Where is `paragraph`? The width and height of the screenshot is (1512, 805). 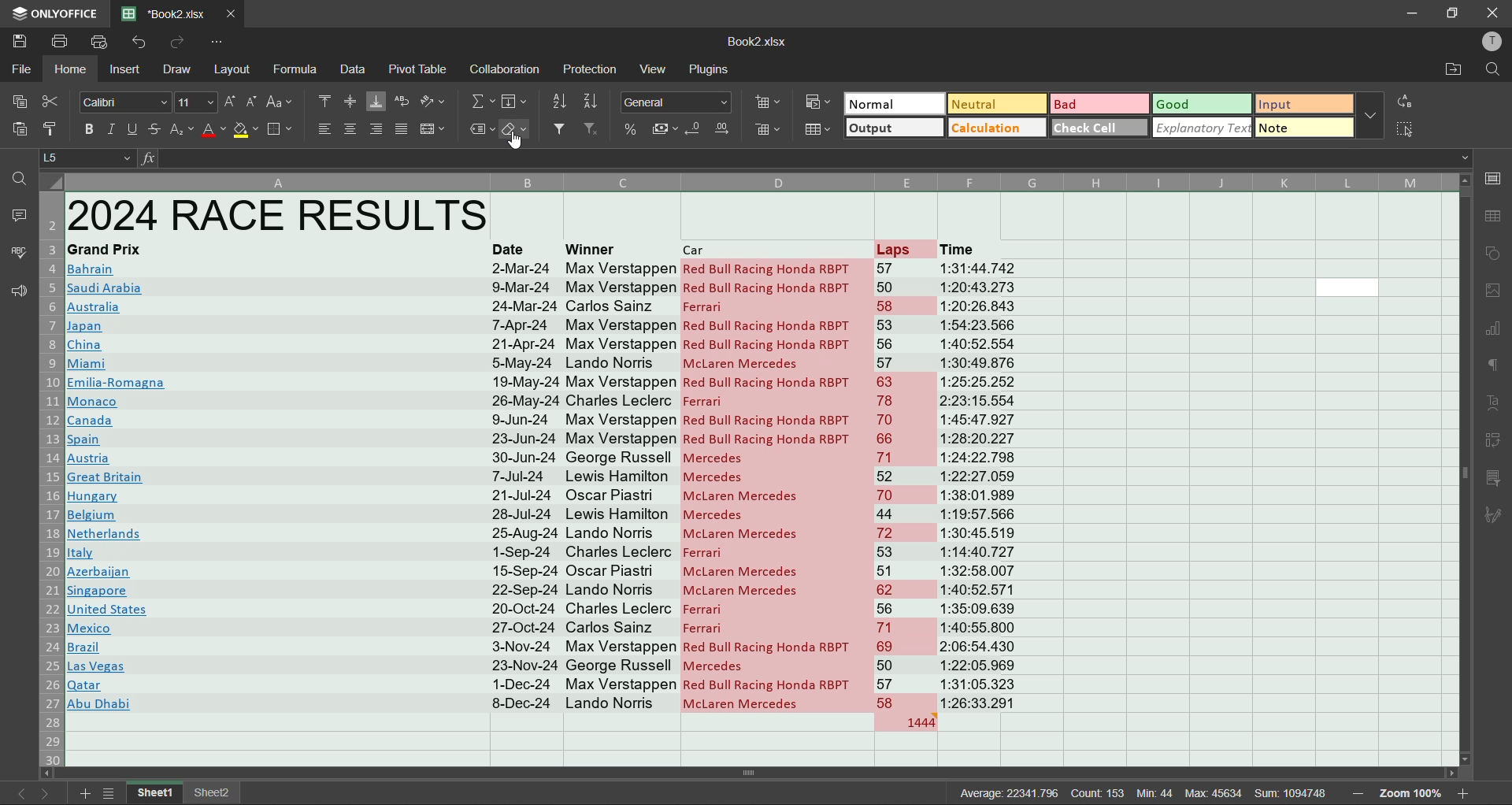 paragraph is located at coordinates (1489, 366).